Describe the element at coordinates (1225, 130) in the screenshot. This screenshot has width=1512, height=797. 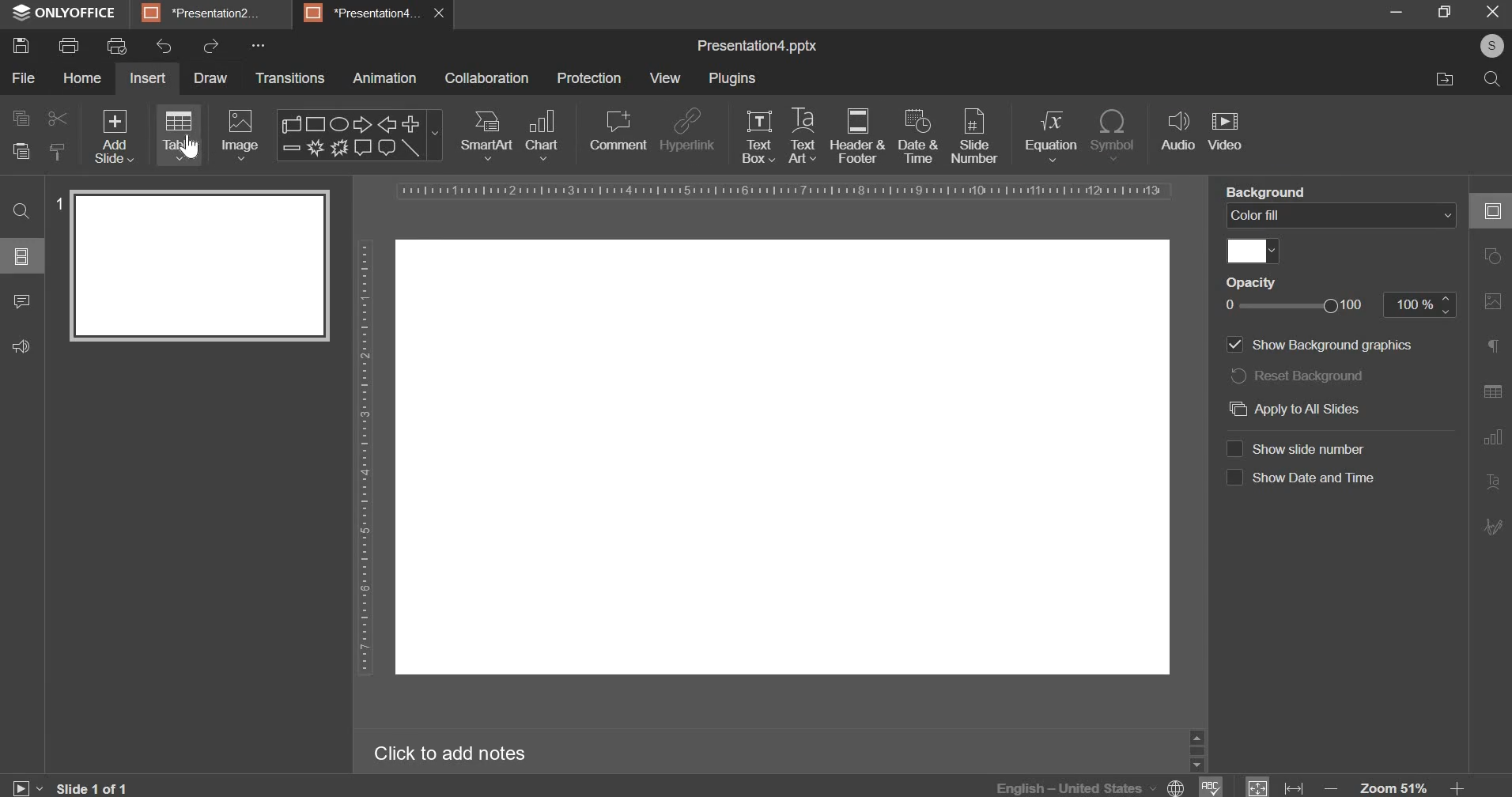
I see `video` at that location.